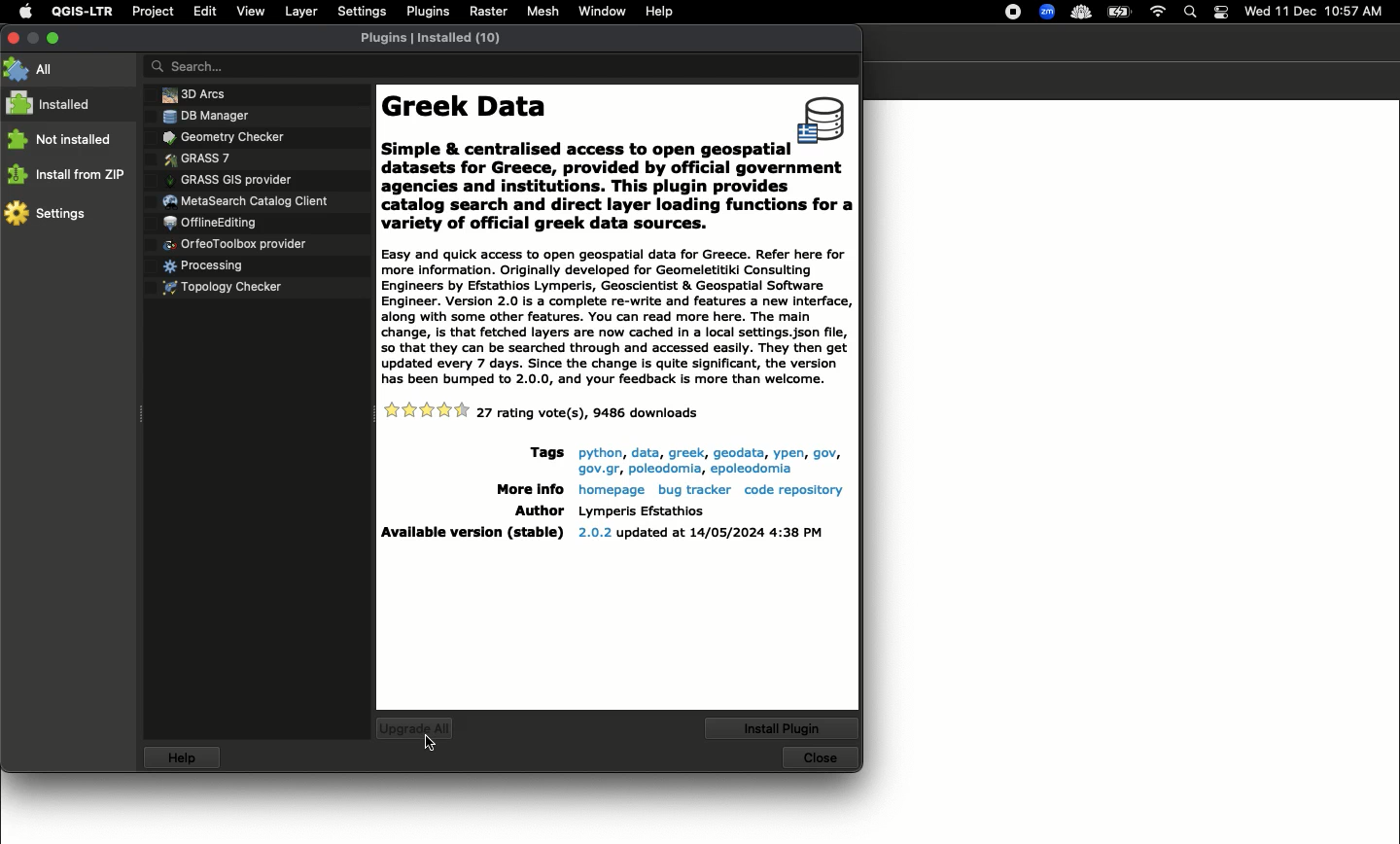  I want to click on More info, so click(523, 489).